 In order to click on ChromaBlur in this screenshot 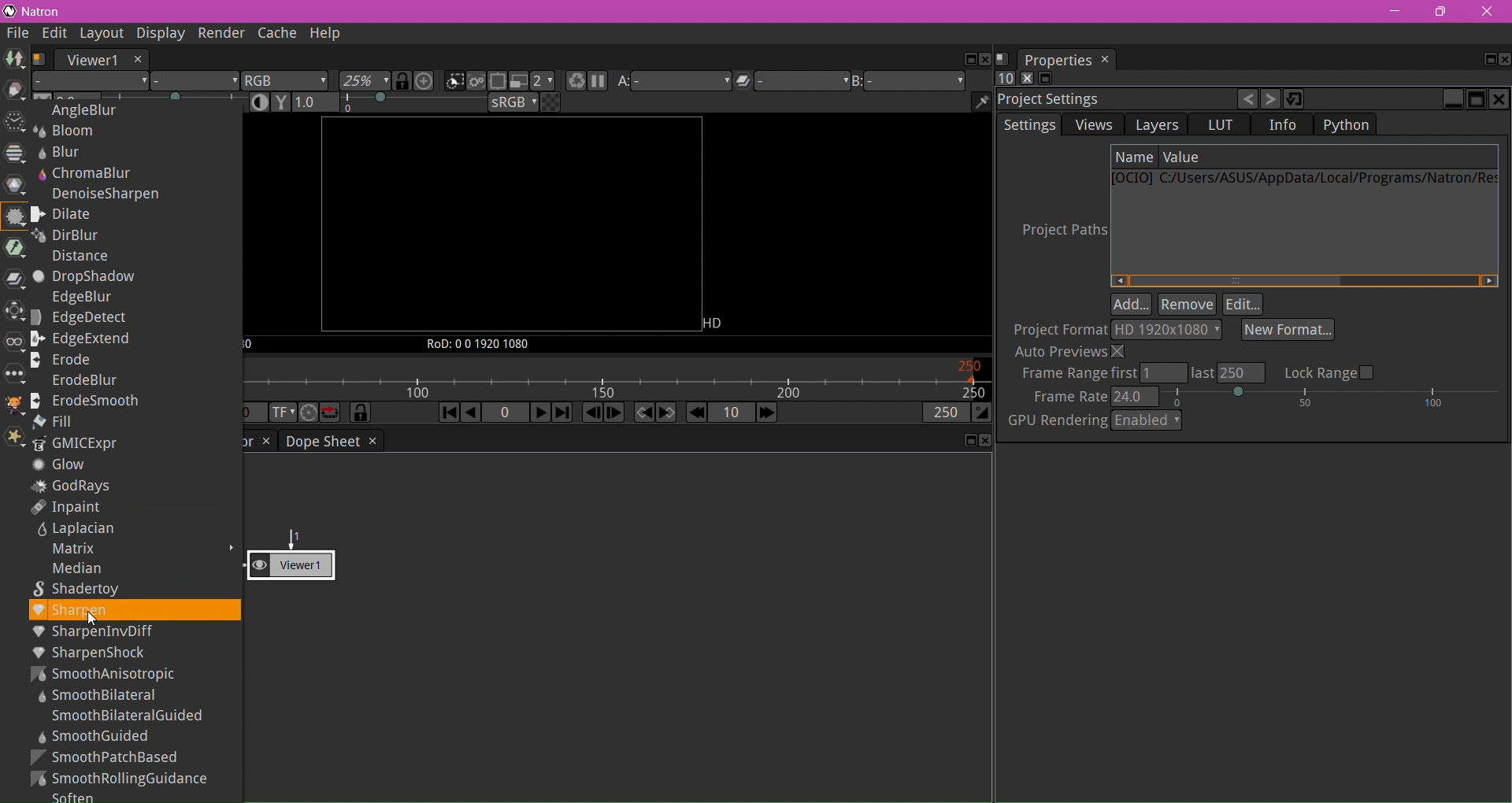, I will do `click(89, 173)`.